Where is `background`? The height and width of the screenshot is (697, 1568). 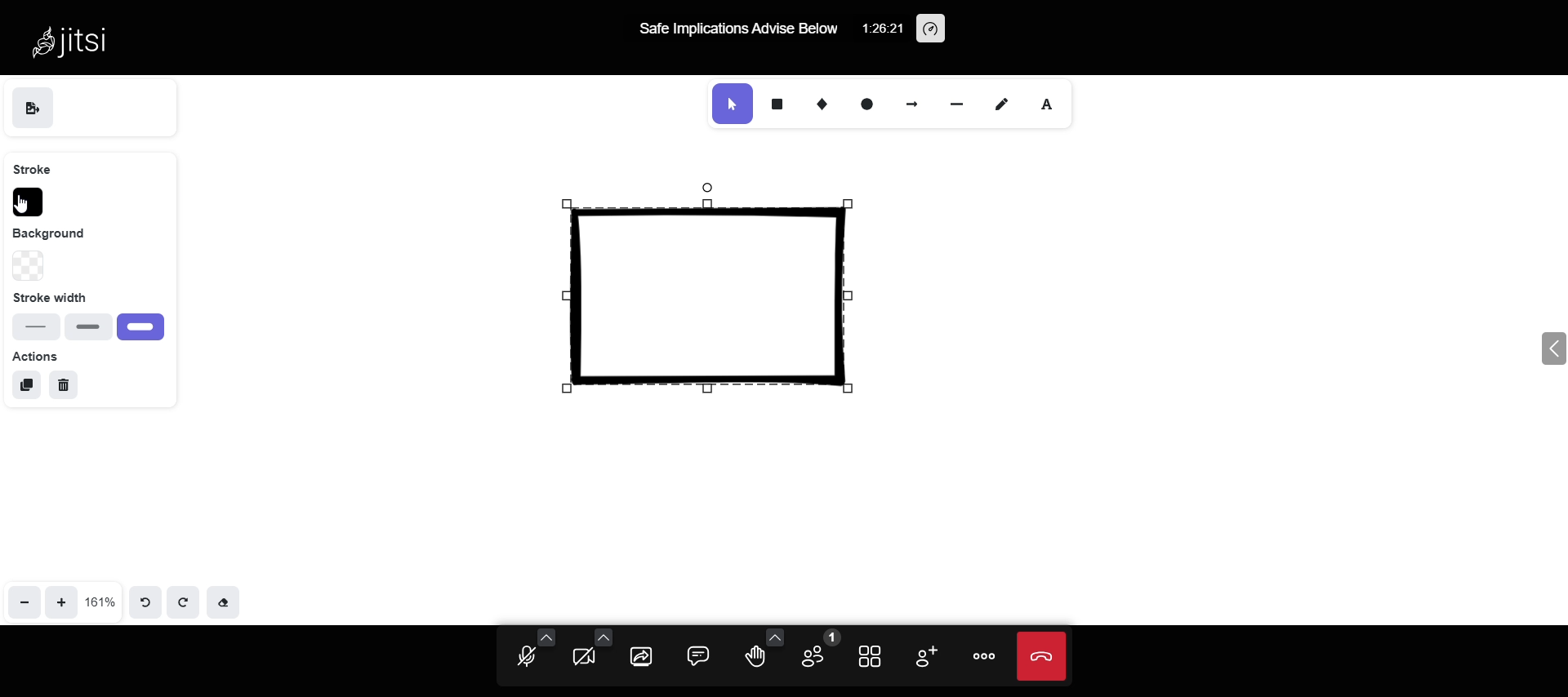
background is located at coordinates (63, 233).